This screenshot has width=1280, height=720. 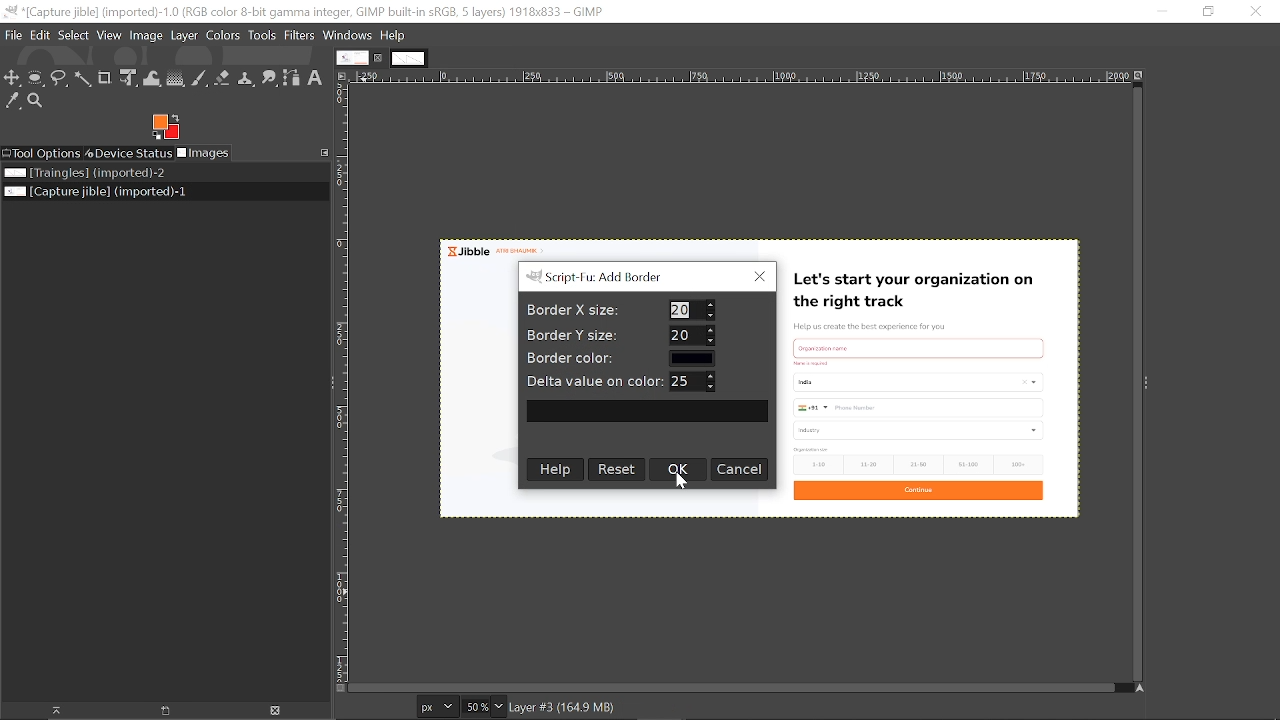 I want to click on Eraser tool, so click(x=225, y=79).